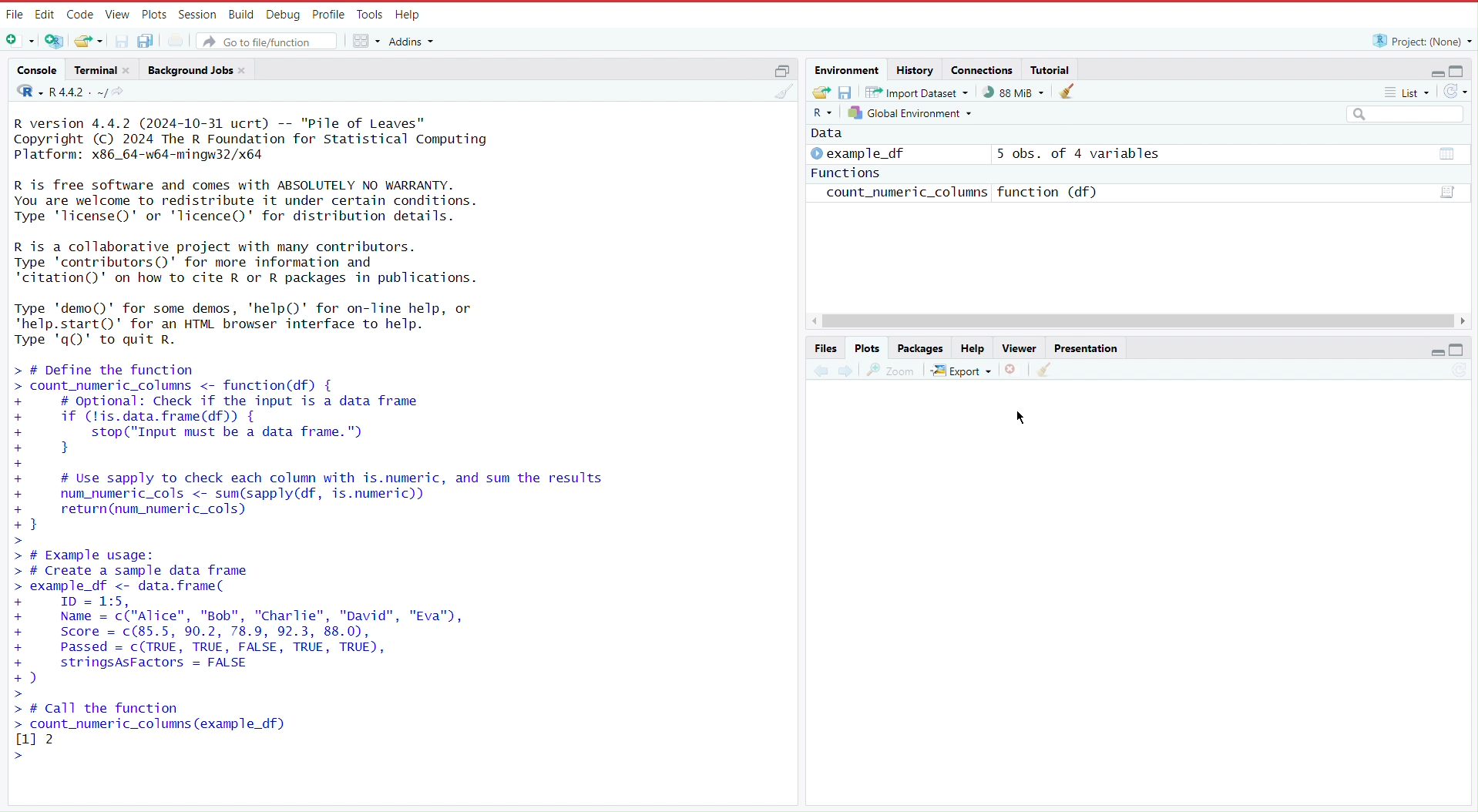  What do you see at coordinates (867, 347) in the screenshot?
I see `s Plots` at bounding box center [867, 347].